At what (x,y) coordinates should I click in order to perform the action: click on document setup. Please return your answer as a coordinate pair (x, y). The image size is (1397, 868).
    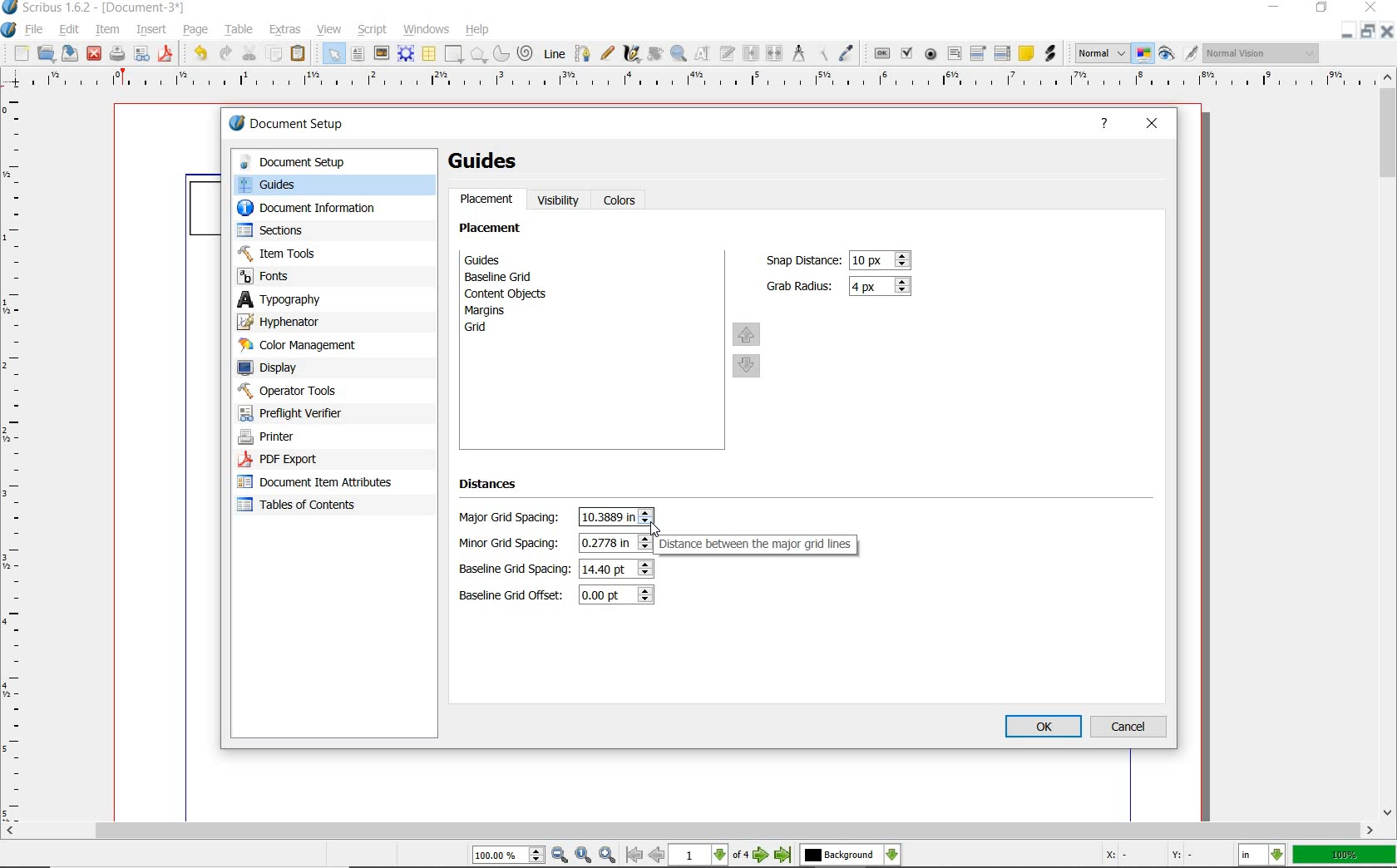
    Looking at the image, I should click on (305, 126).